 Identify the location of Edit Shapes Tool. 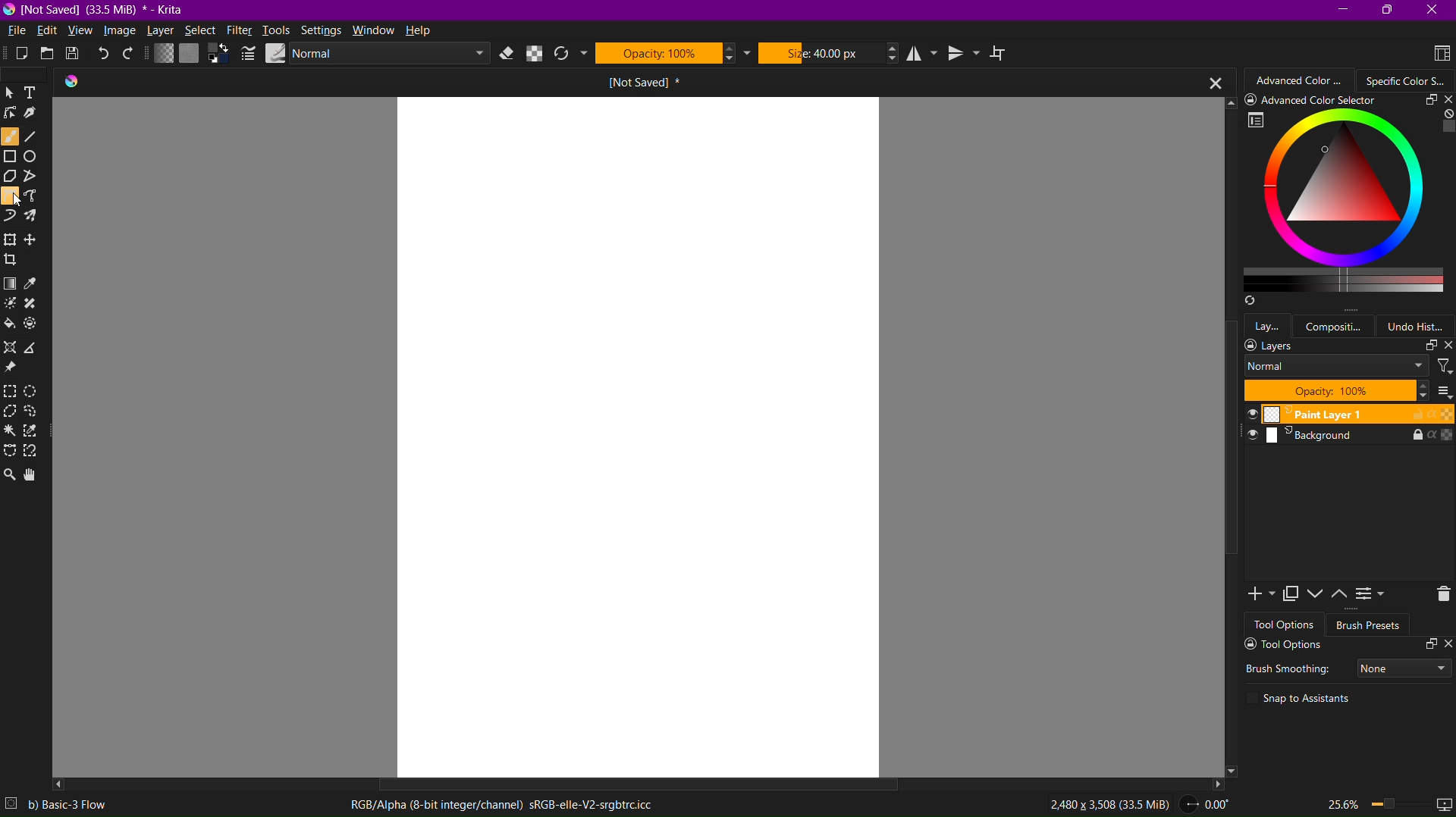
(13, 117).